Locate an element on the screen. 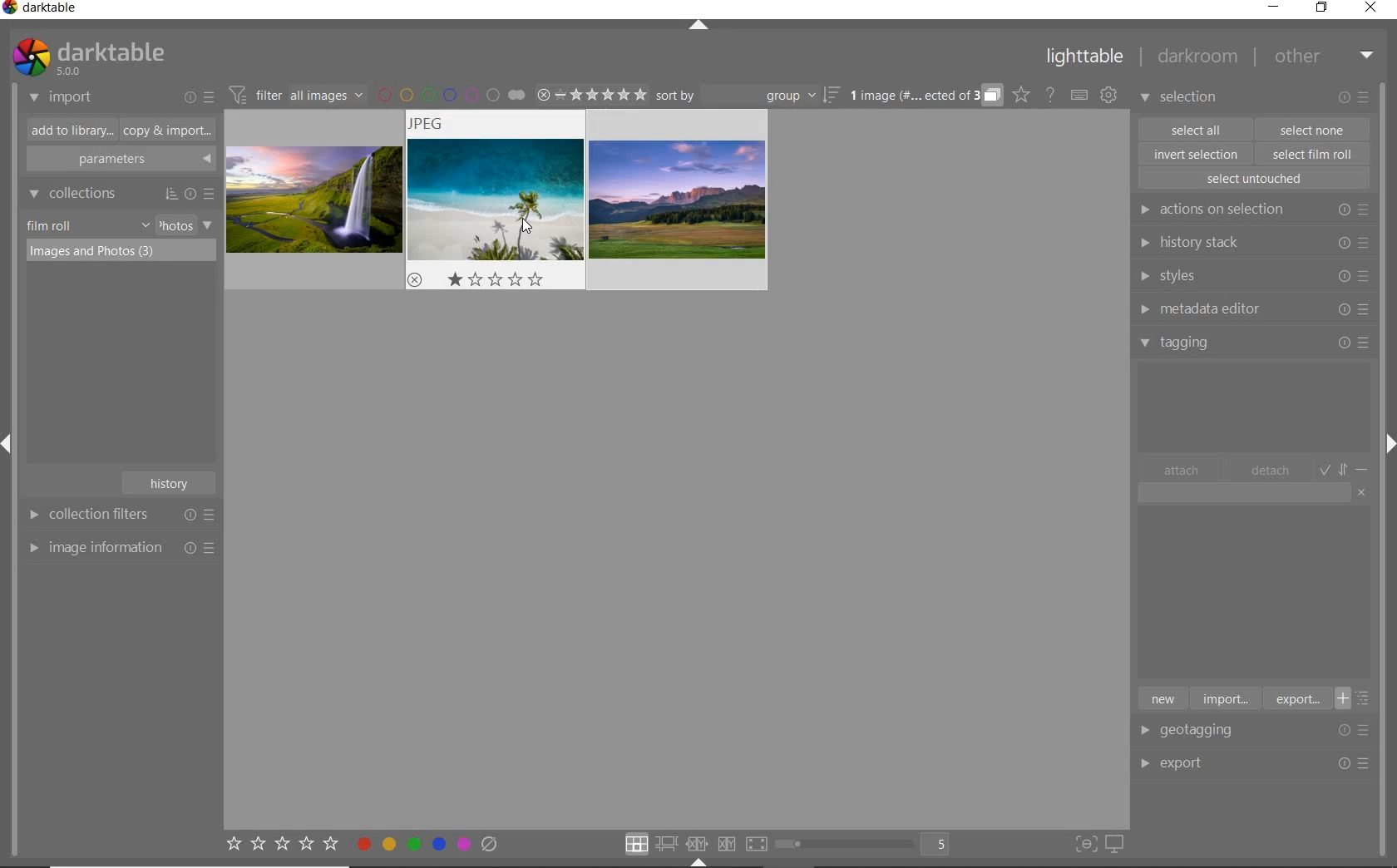 The height and width of the screenshot is (868, 1397). toggle focus-peaking mode is located at coordinates (1084, 842).